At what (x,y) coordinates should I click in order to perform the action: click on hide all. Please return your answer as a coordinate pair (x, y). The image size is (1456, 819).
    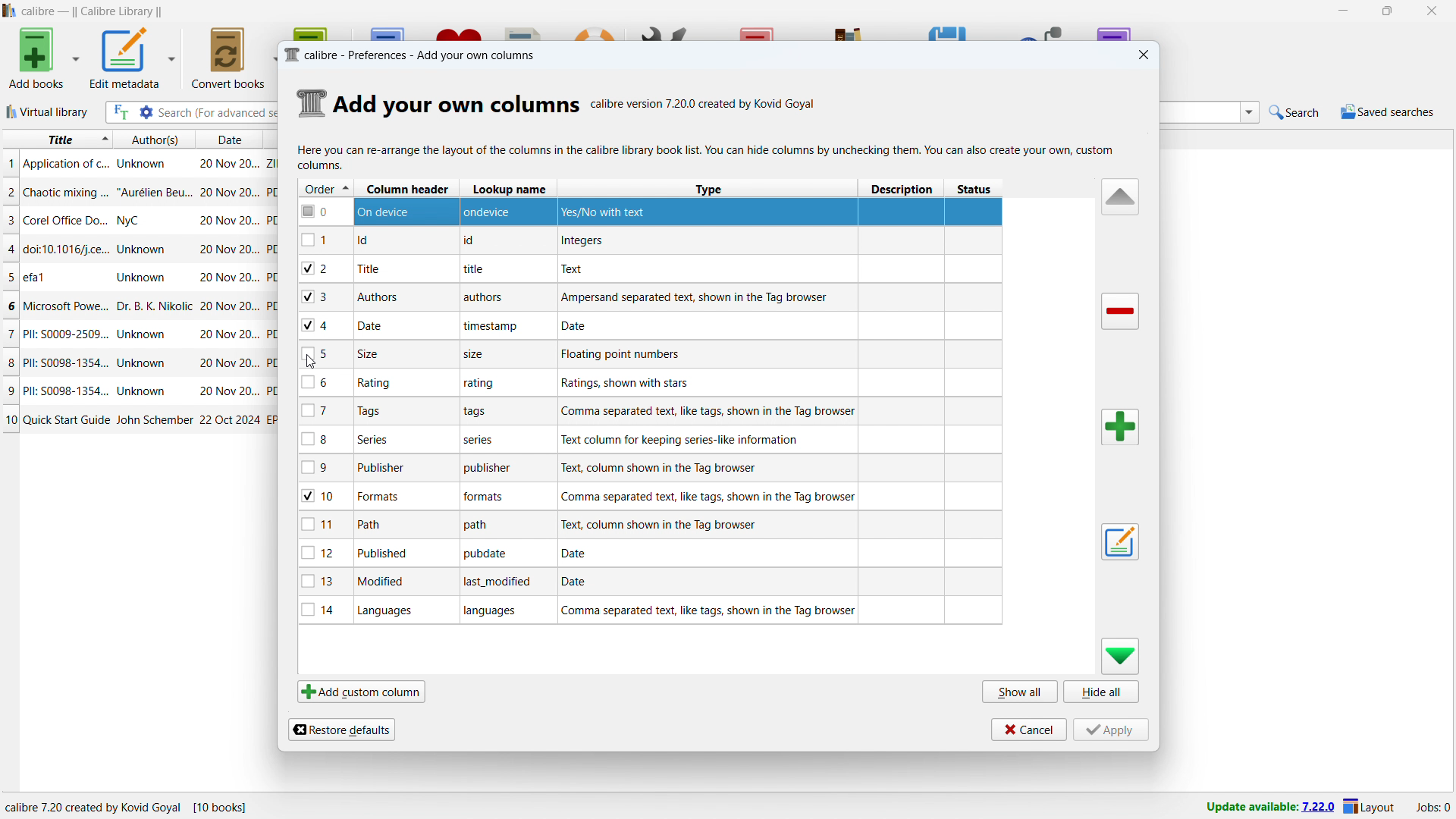
    Looking at the image, I should click on (1102, 692).